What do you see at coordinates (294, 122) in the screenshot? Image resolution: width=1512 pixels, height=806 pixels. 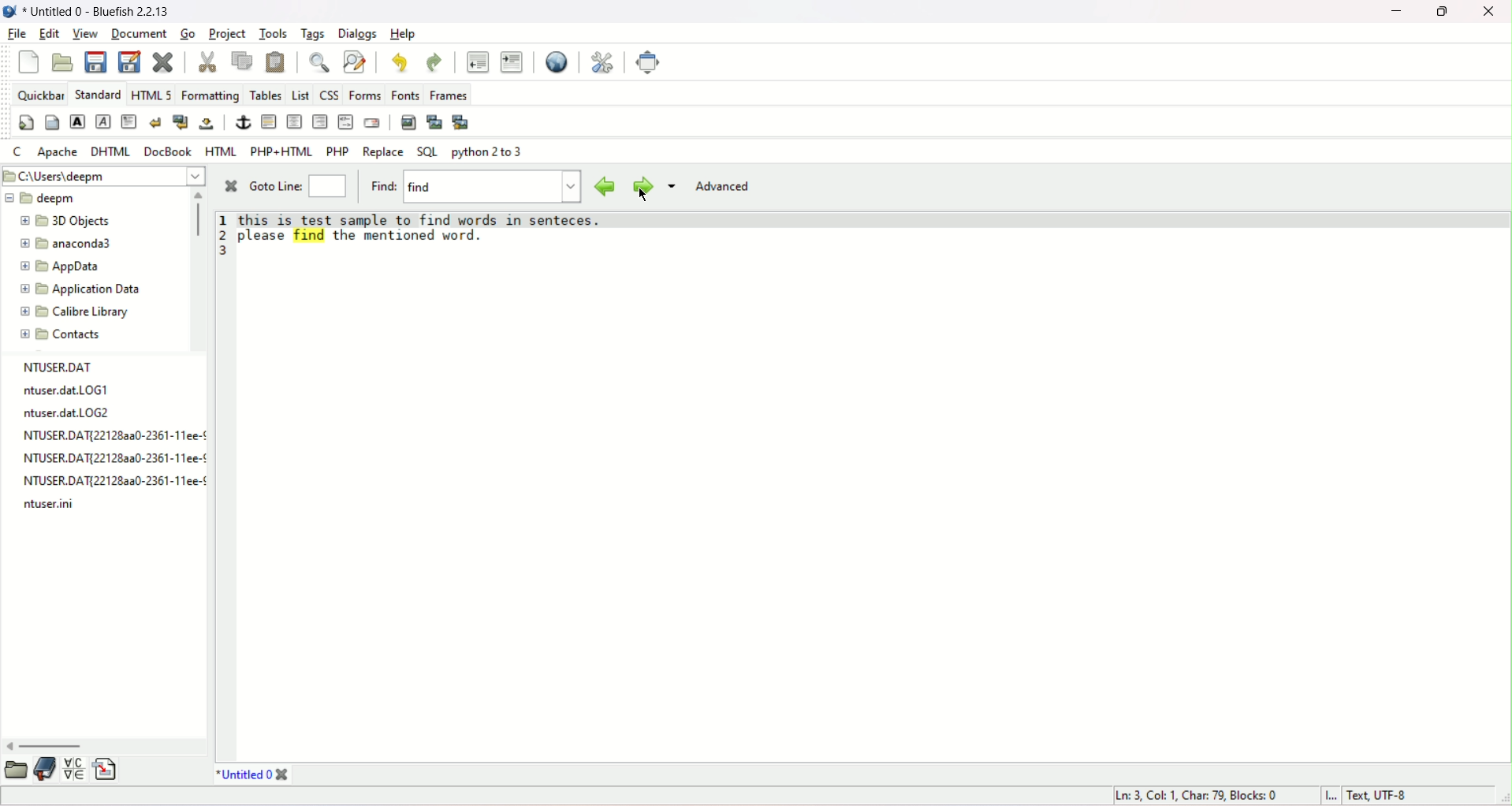 I see `center` at bounding box center [294, 122].